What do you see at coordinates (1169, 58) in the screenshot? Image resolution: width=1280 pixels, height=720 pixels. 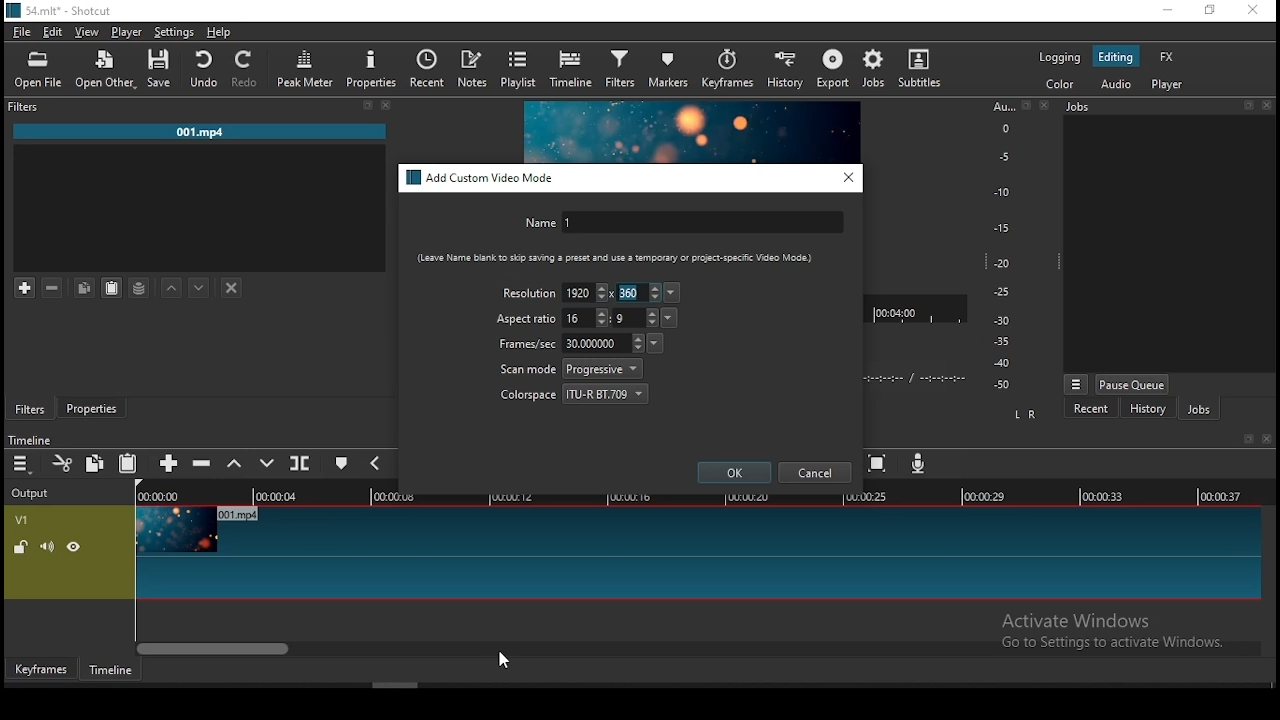 I see `fx` at bounding box center [1169, 58].